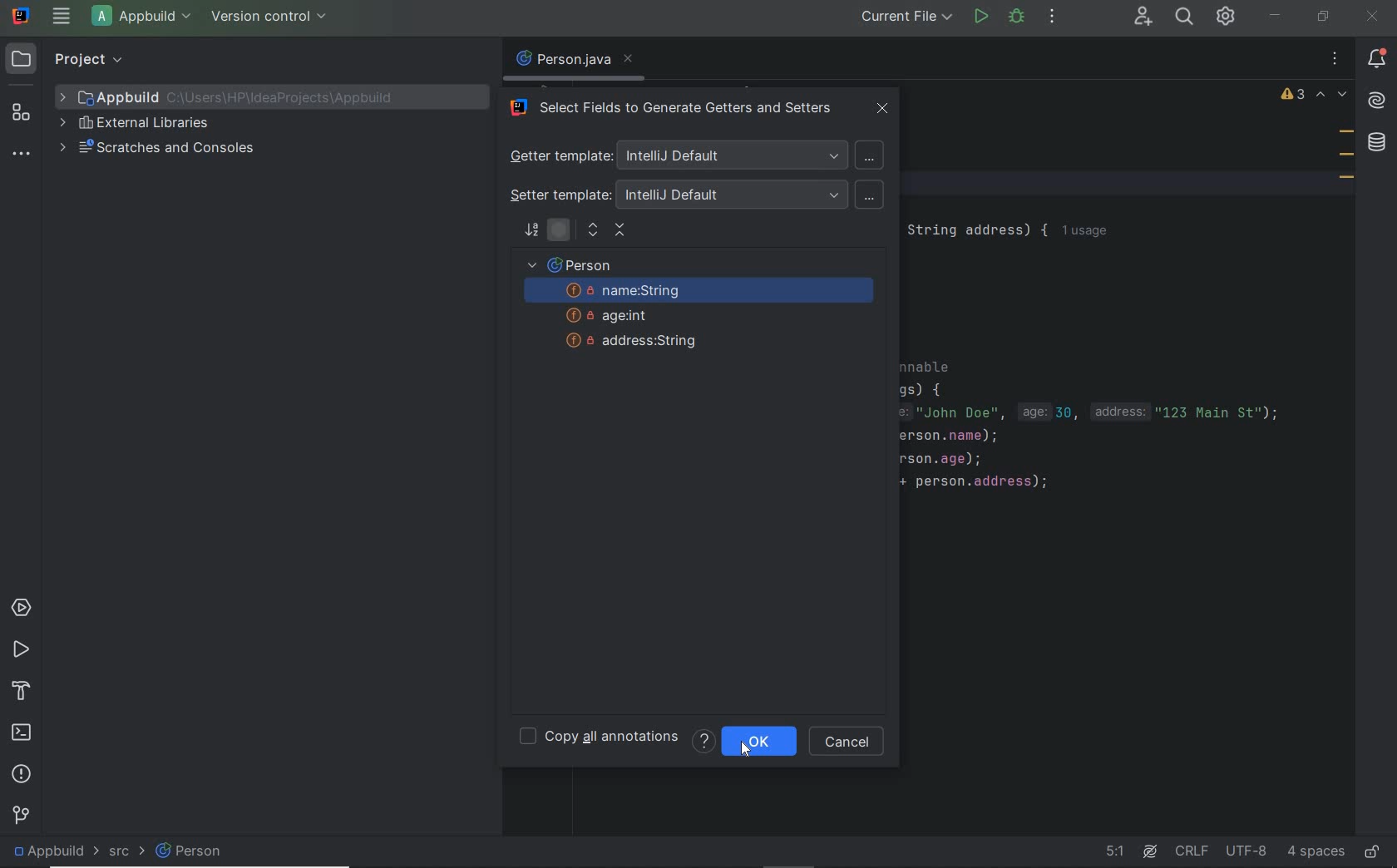  What do you see at coordinates (1332, 96) in the screenshot?
I see `previous and next highlighted problems` at bounding box center [1332, 96].